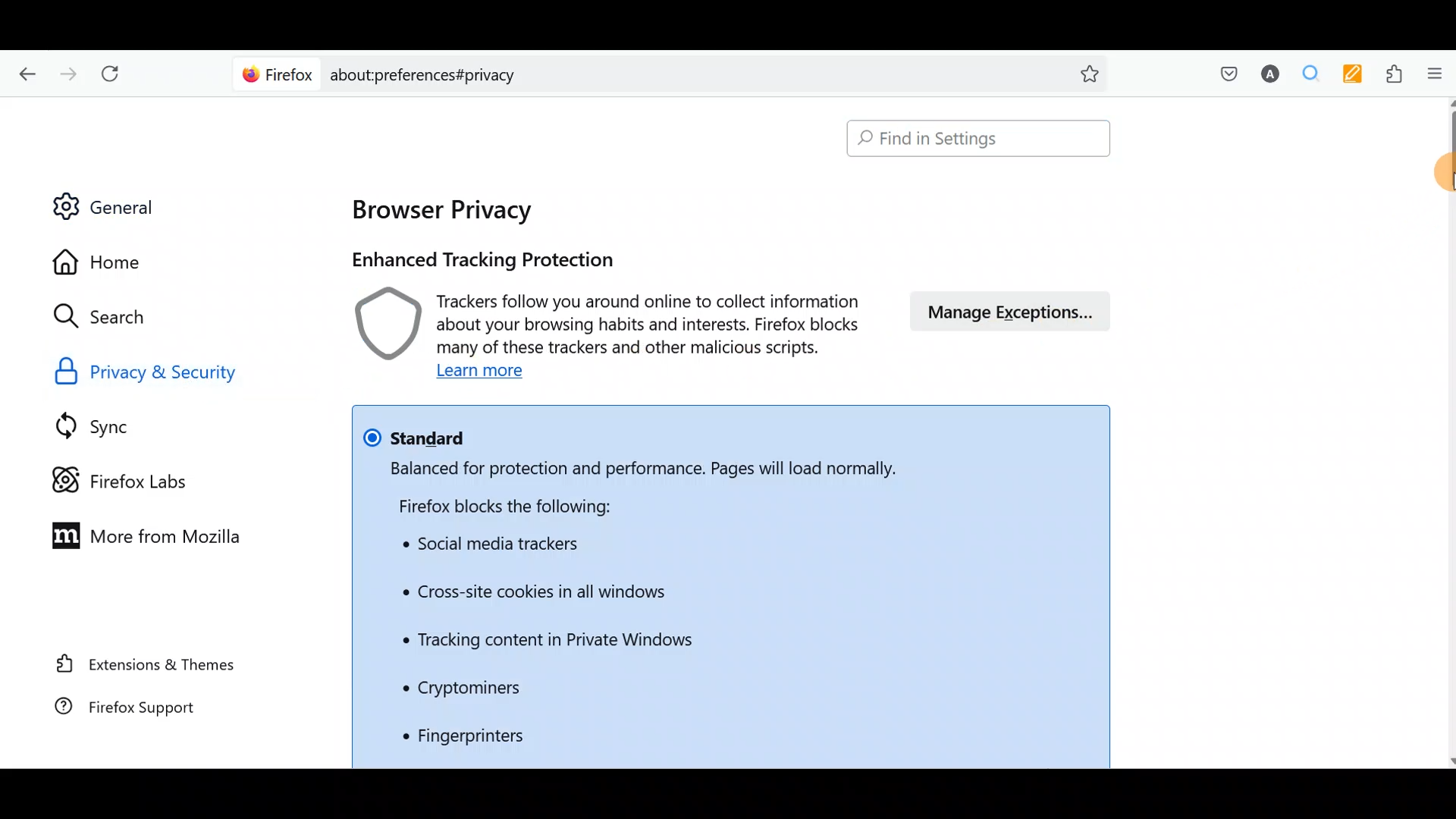  I want to click on Firefox support, so click(144, 714).